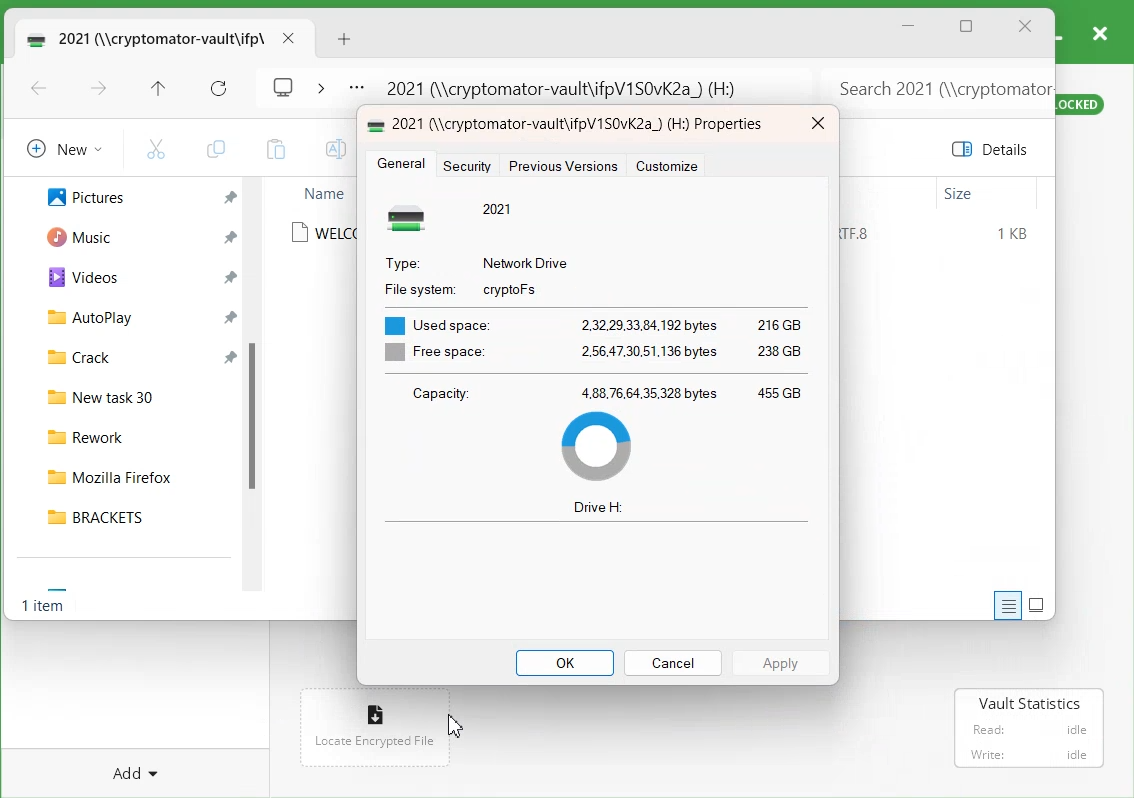 The image size is (1134, 798). I want to click on More, so click(356, 89).